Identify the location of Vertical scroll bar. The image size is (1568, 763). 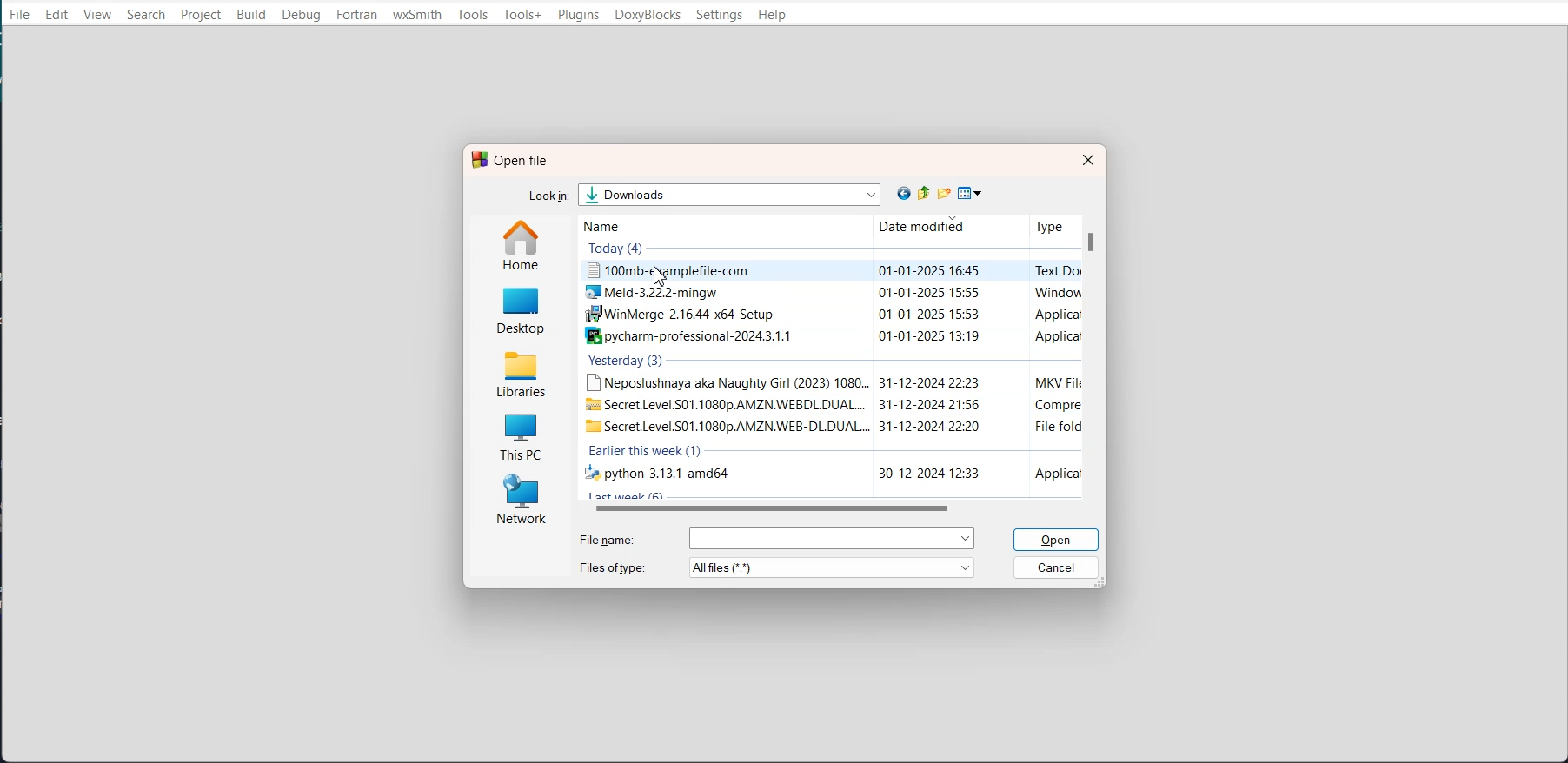
(1093, 356).